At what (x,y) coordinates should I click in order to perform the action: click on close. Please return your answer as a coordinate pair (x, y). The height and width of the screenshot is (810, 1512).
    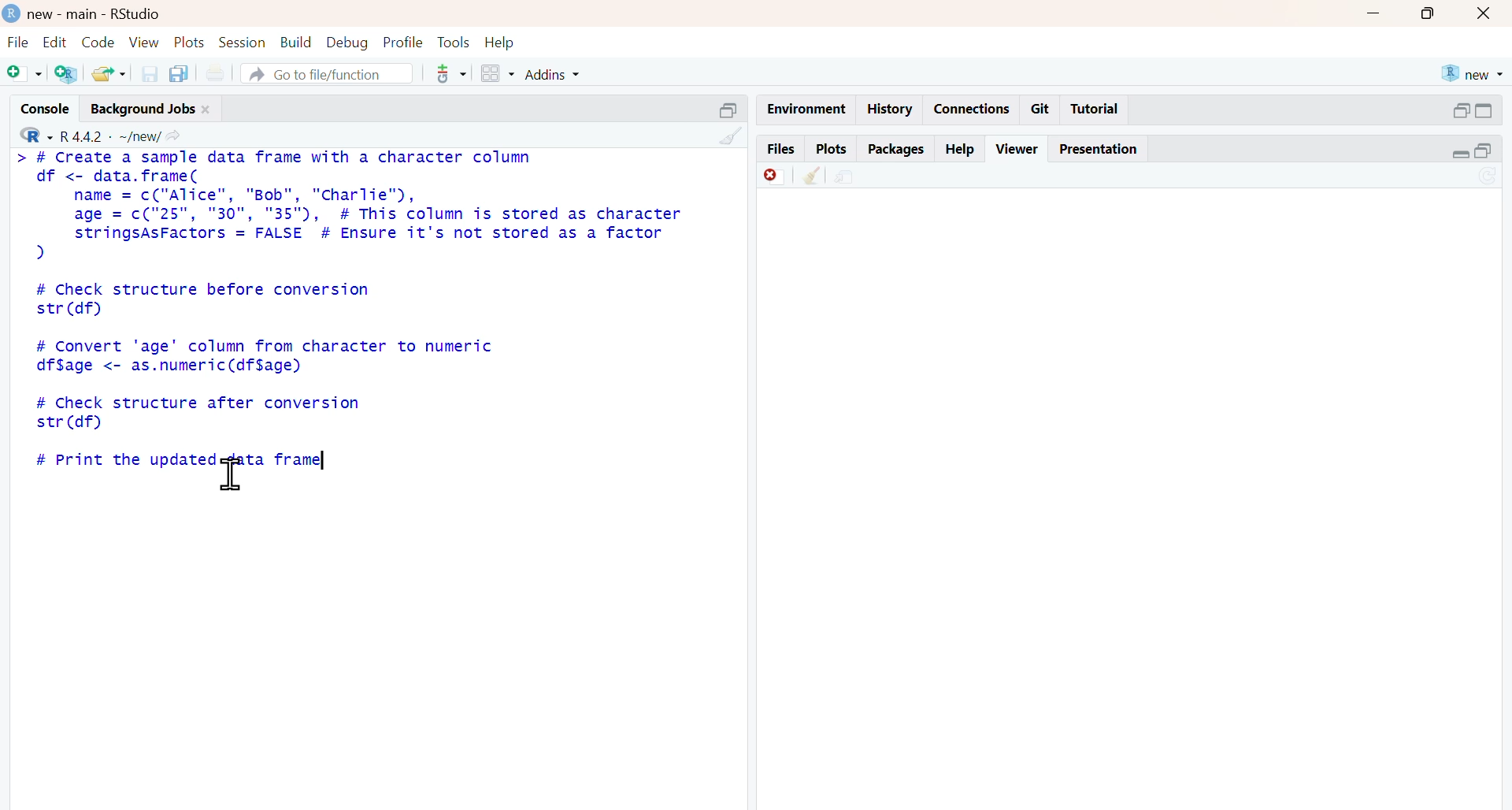
    Looking at the image, I should click on (206, 110).